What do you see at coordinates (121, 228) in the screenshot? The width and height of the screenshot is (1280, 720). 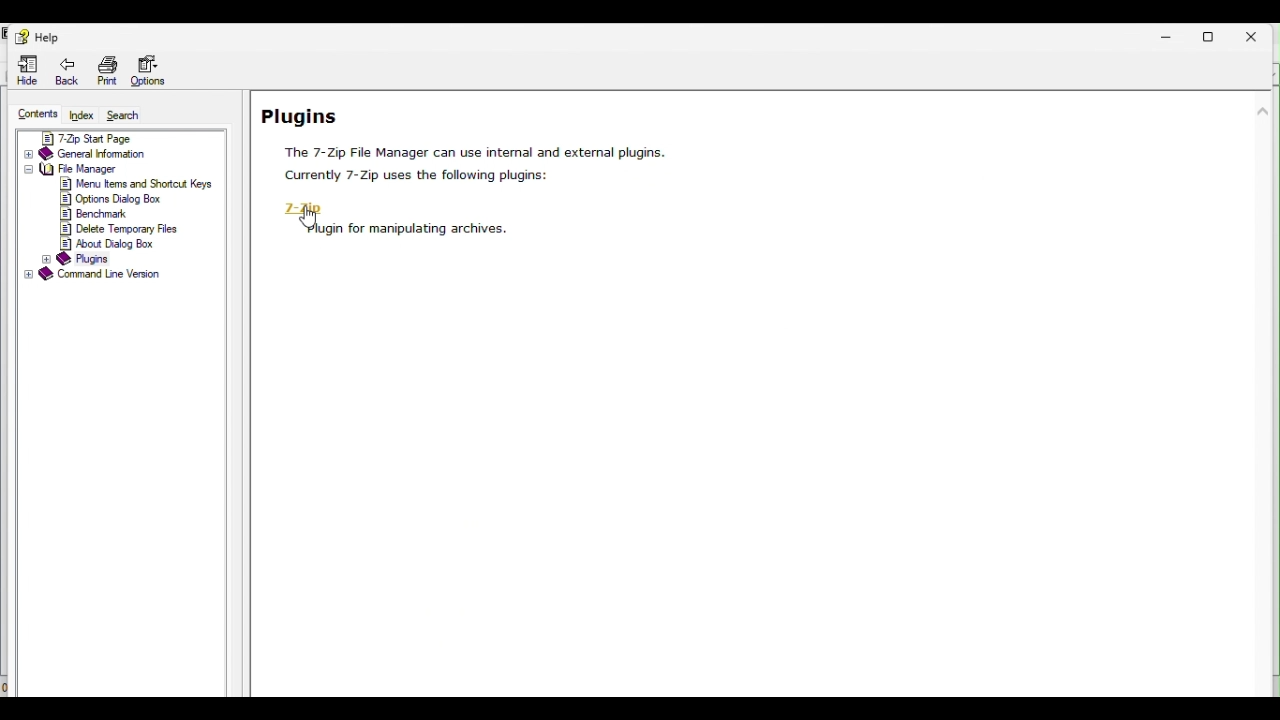 I see `delete` at bounding box center [121, 228].